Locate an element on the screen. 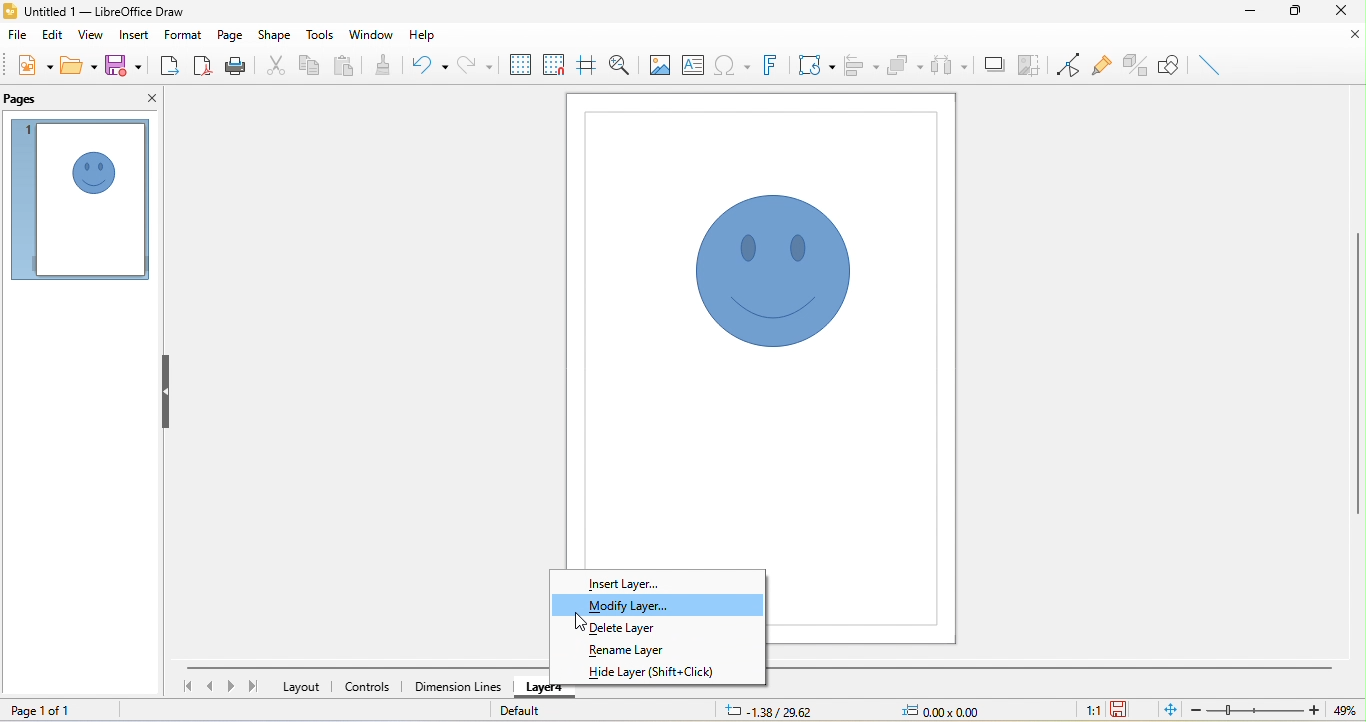  next page is located at coordinates (230, 687).